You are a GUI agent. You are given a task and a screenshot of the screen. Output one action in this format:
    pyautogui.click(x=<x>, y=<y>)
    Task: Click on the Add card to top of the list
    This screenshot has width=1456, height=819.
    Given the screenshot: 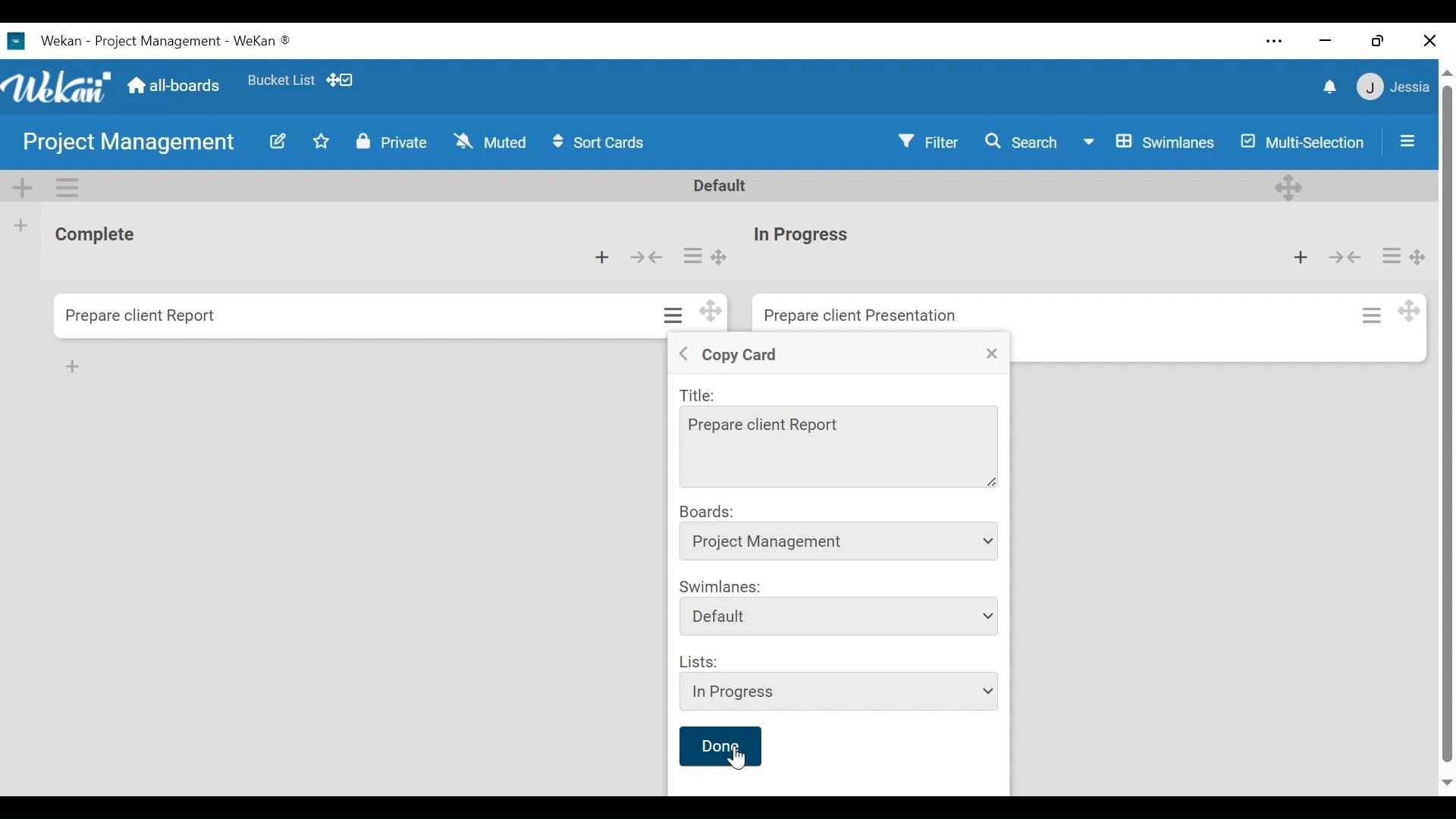 What is the action you would take?
    pyautogui.click(x=609, y=258)
    